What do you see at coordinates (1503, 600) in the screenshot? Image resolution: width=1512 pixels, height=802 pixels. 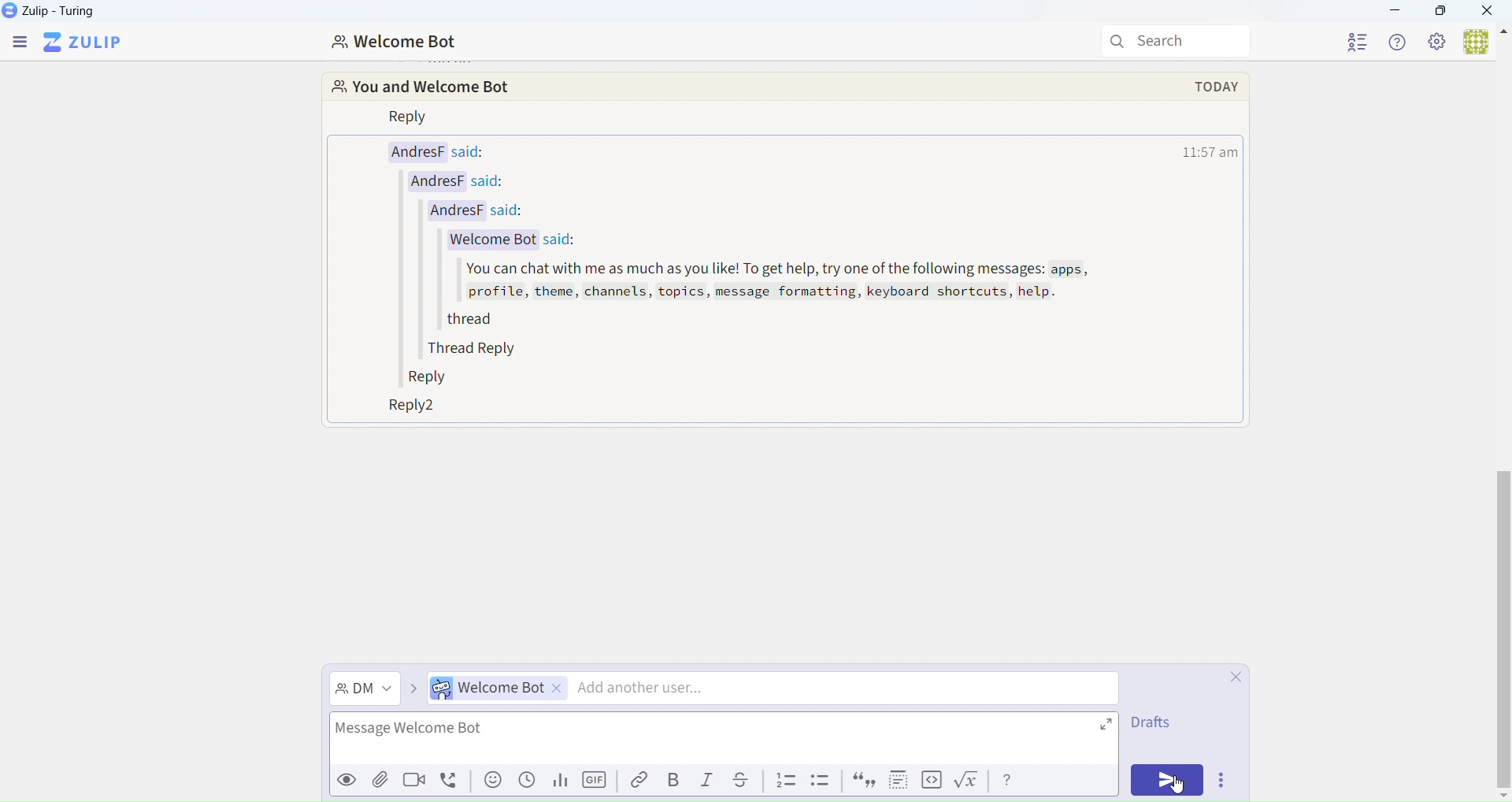 I see `vertical scroll bar` at bounding box center [1503, 600].